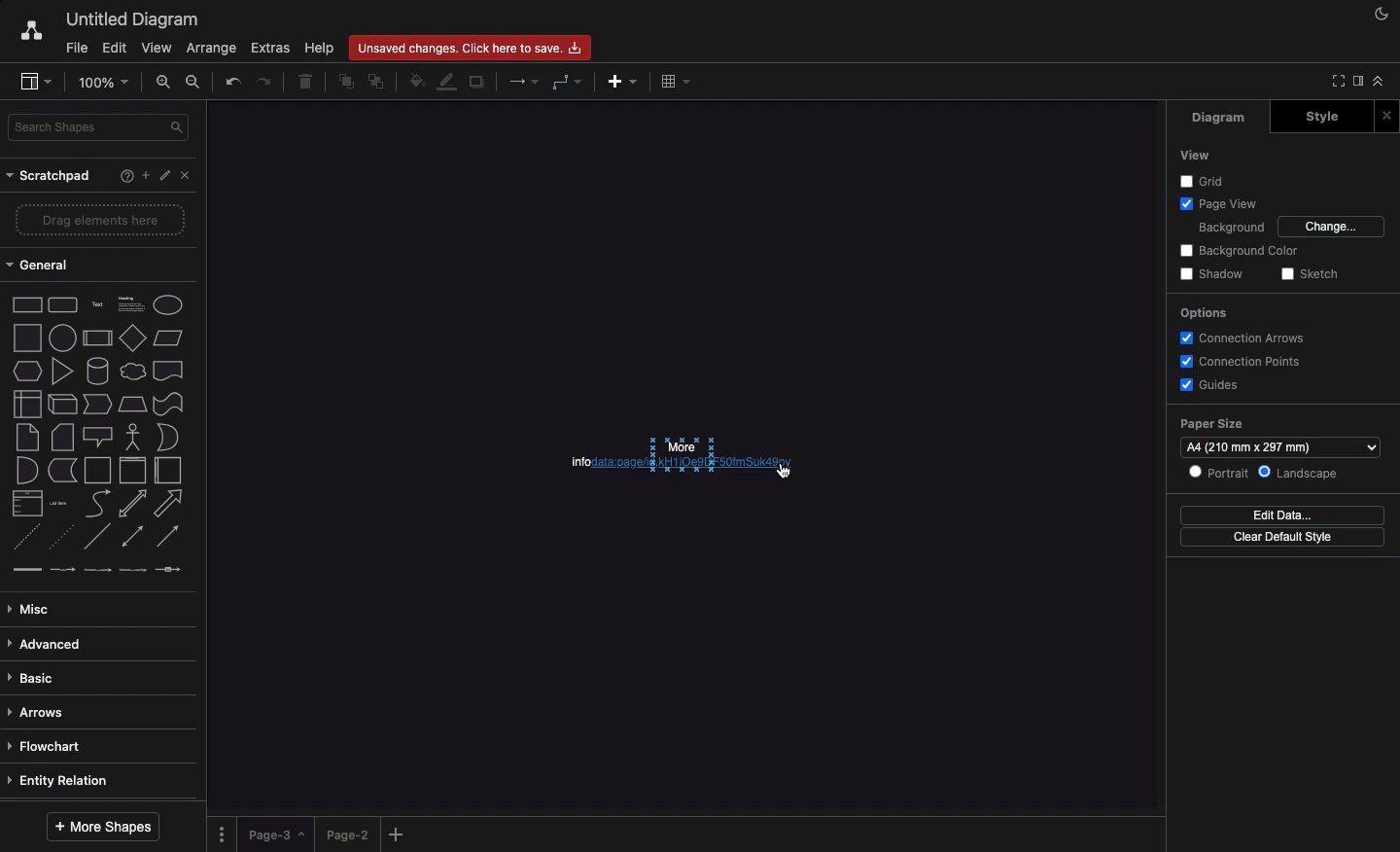 The image size is (1400, 852). Describe the element at coordinates (97, 536) in the screenshot. I see `Line` at that location.